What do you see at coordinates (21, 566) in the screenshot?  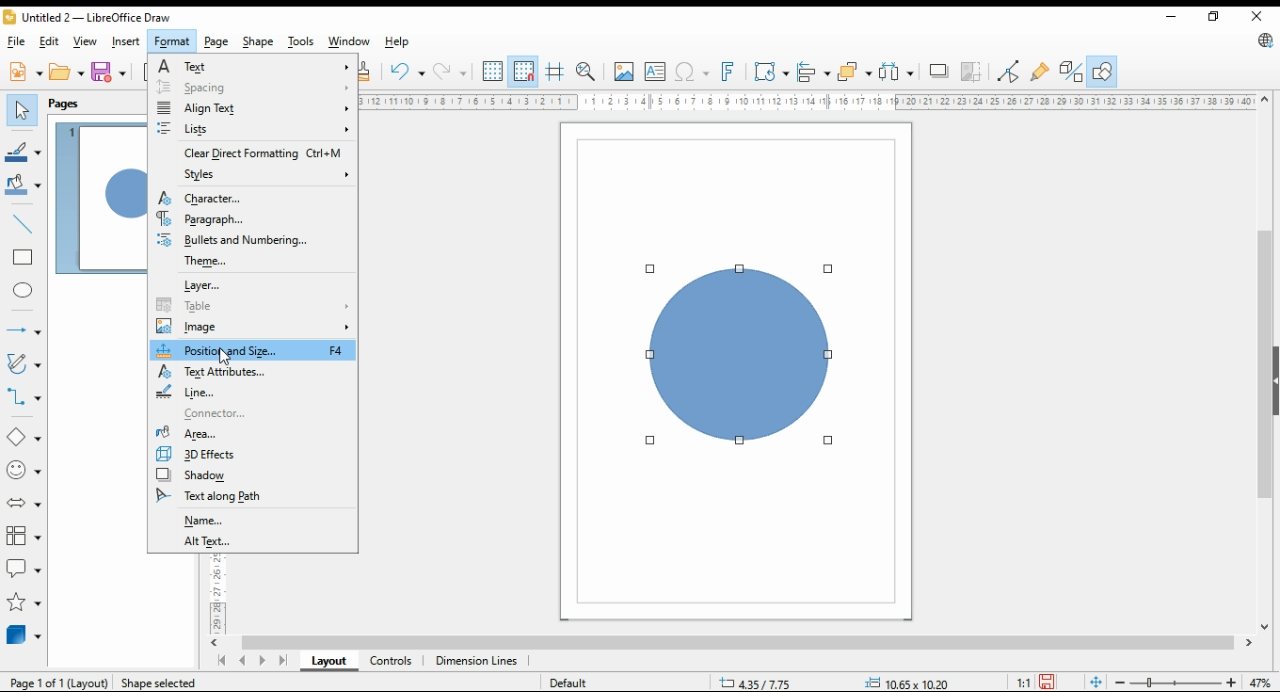 I see `callout shapes` at bounding box center [21, 566].